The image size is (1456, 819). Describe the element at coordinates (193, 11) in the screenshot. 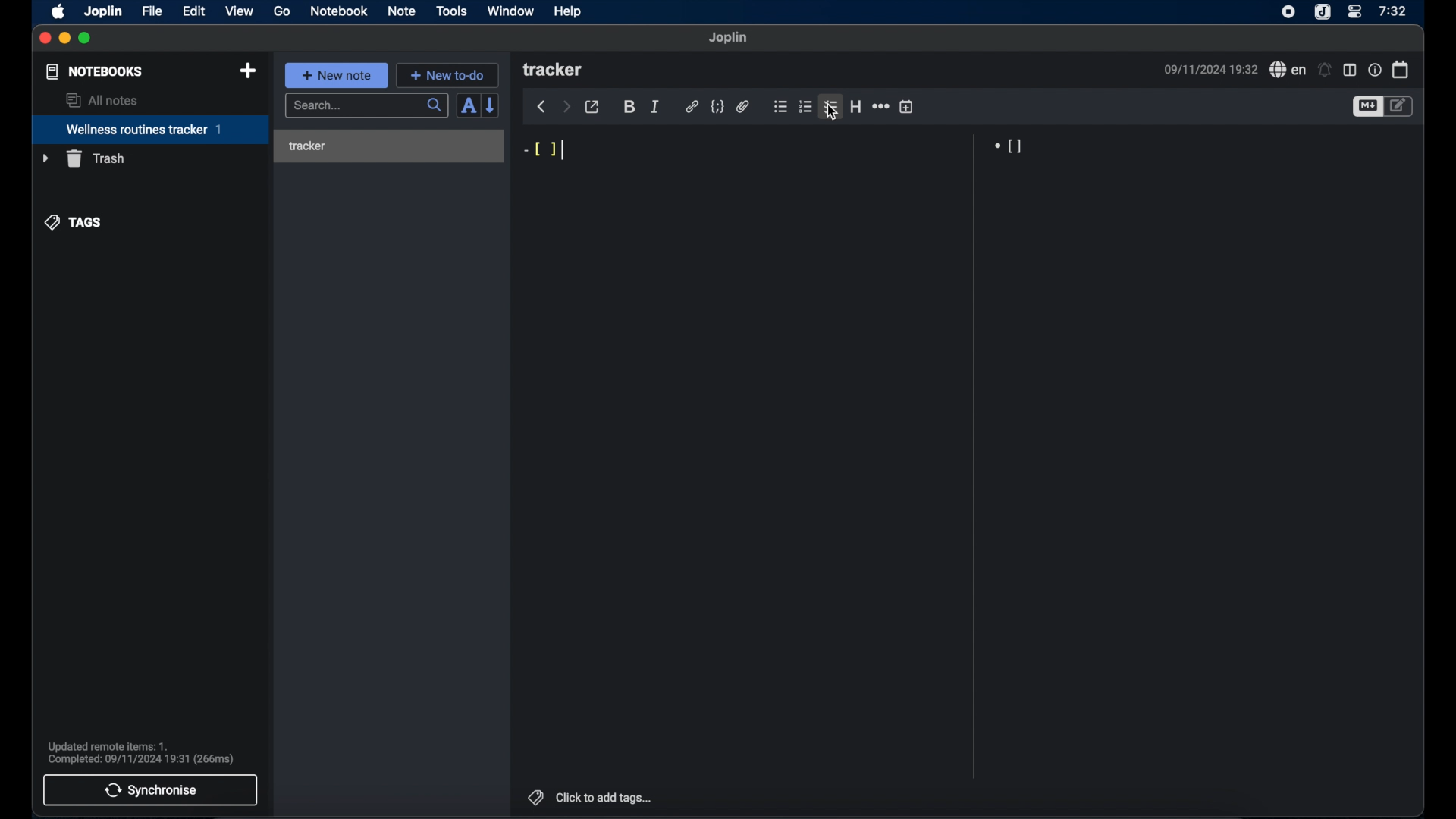

I see `edit` at that location.